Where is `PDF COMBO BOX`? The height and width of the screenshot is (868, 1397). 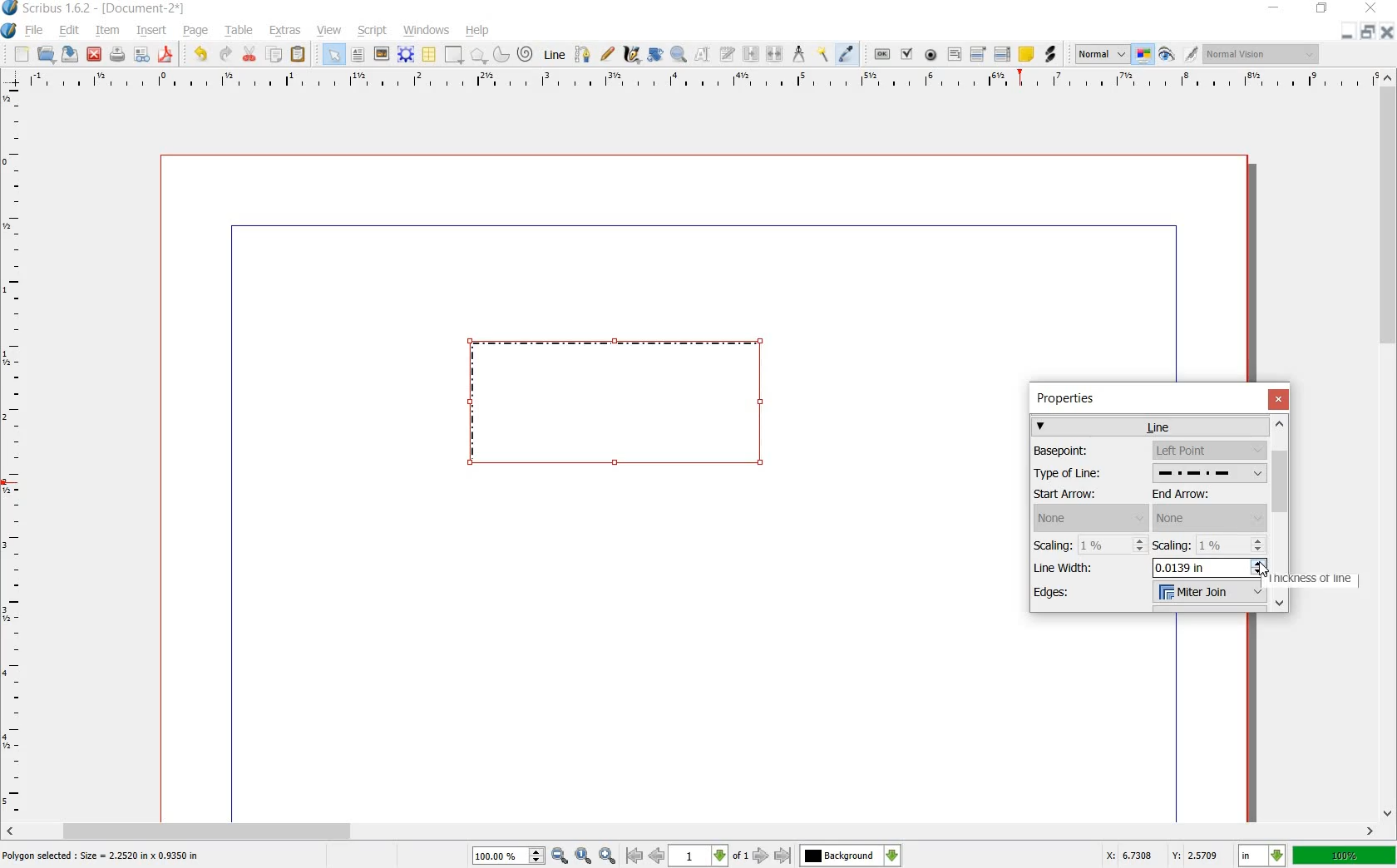
PDF COMBO BOX is located at coordinates (977, 53).